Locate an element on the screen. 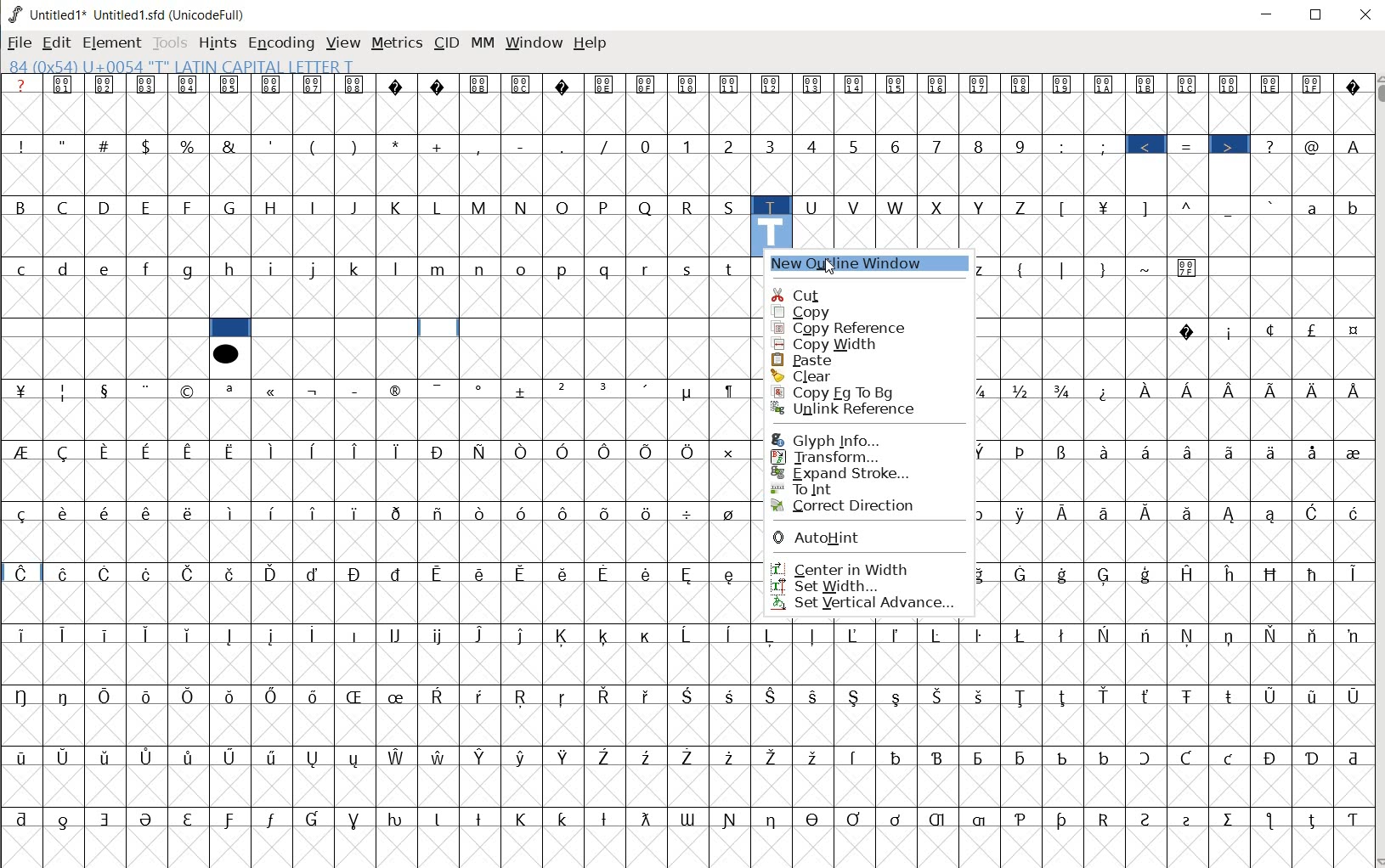  & is located at coordinates (229, 144).